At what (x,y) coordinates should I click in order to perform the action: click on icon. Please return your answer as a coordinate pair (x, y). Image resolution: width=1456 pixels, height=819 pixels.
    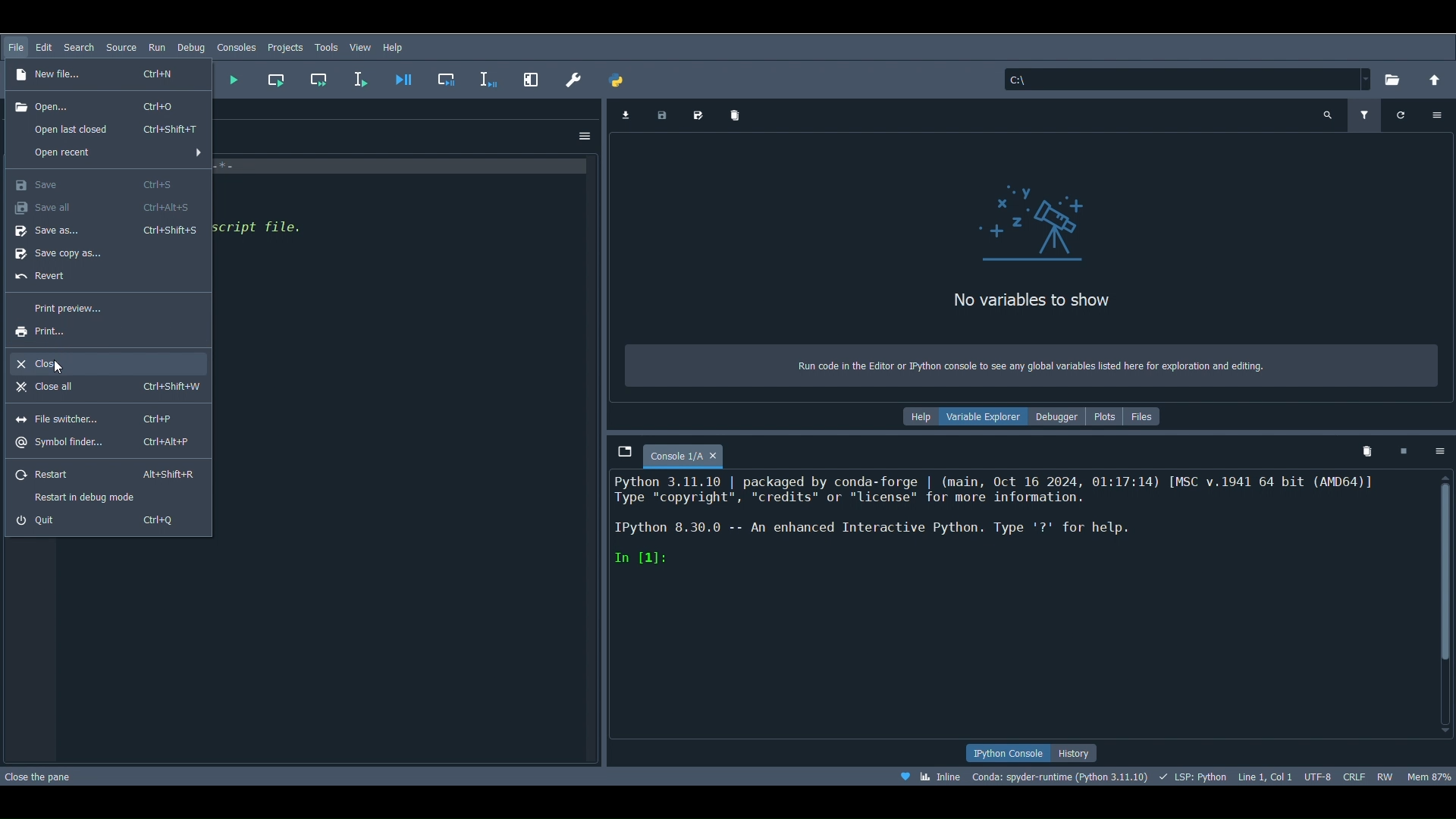
    Looking at the image, I should click on (1031, 225).